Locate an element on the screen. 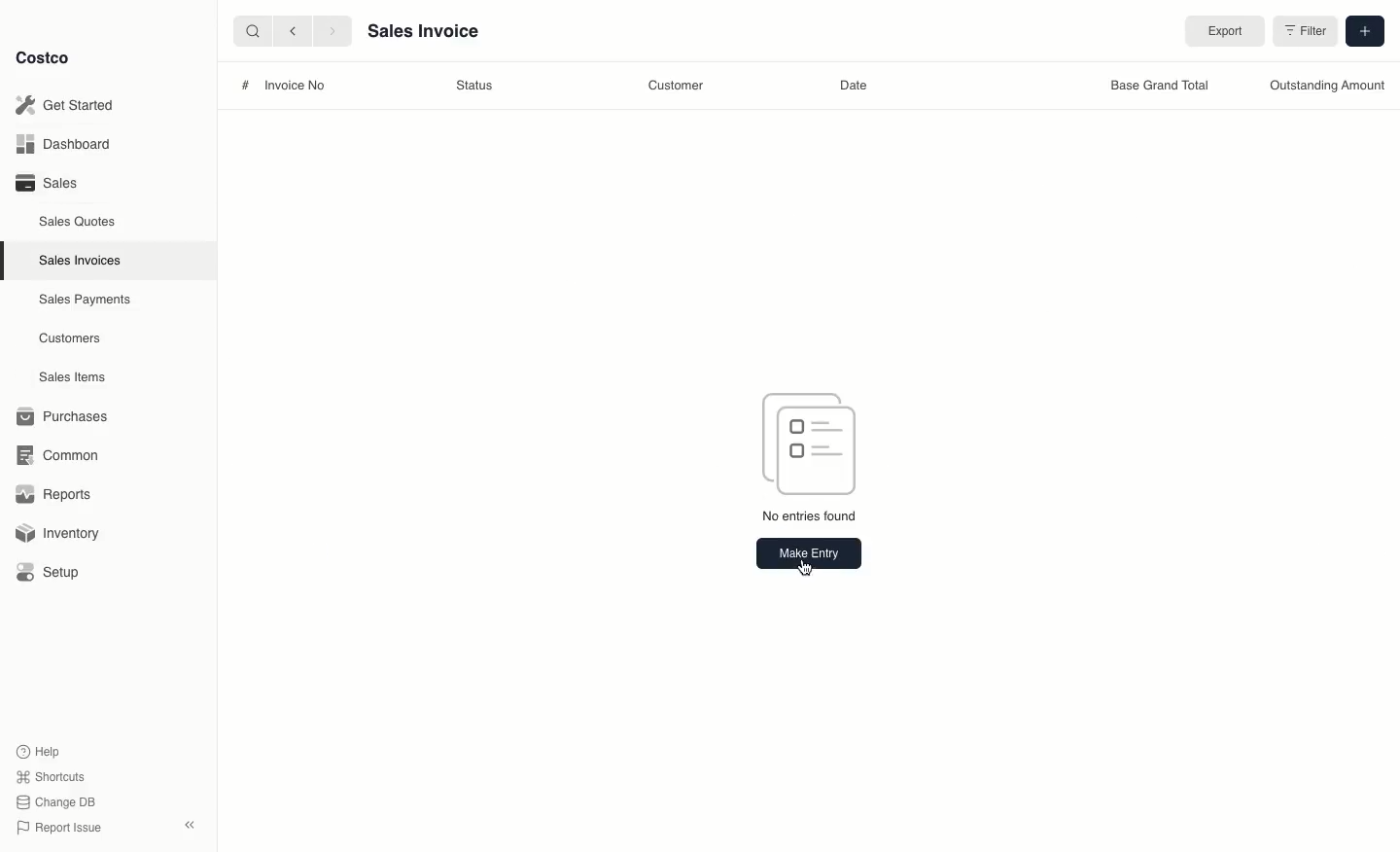 This screenshot has width=1400, height=852. Reports is located at coordinates (54, 496).